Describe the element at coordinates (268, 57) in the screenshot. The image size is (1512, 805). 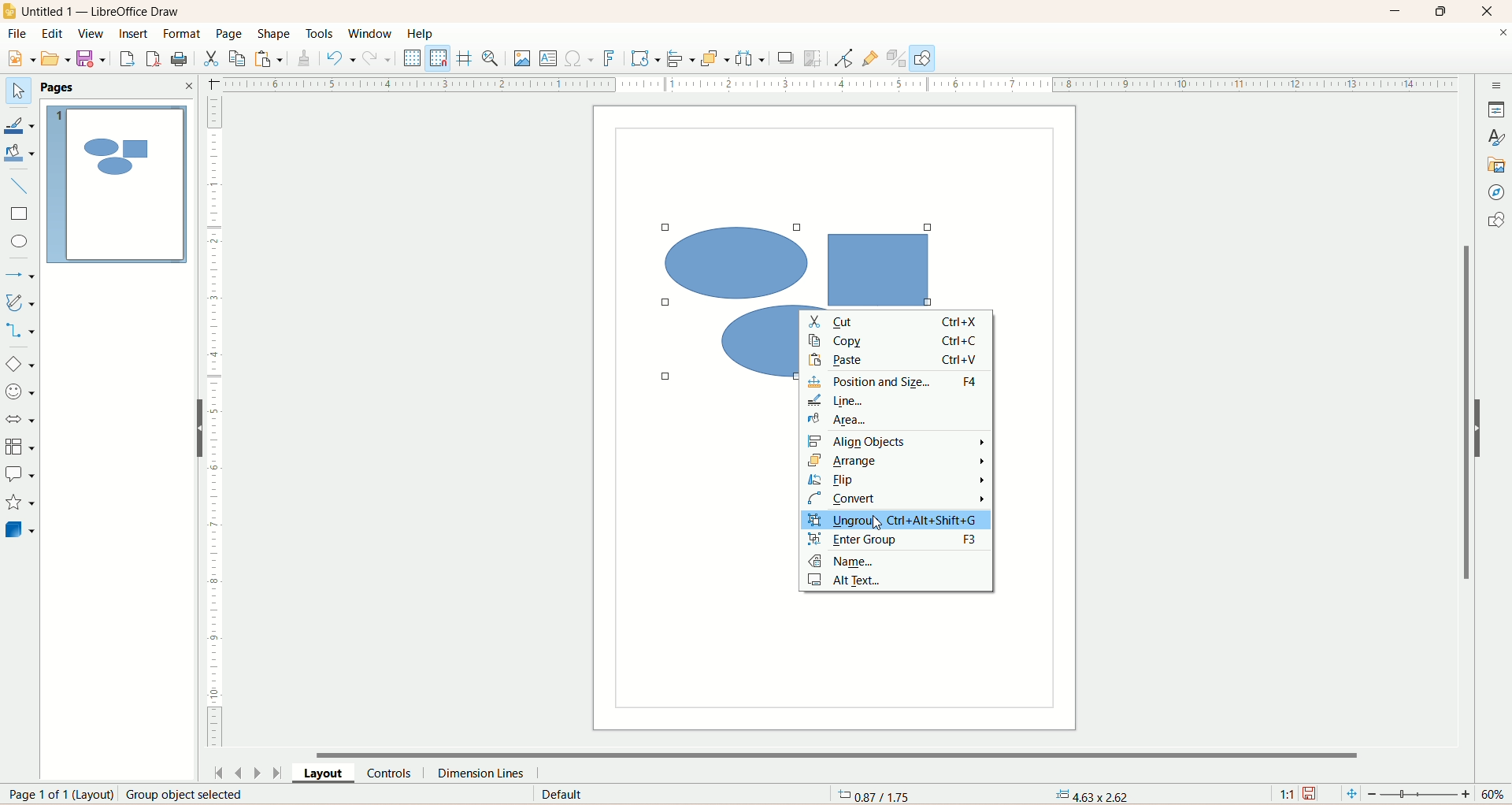
I see `paste` at that location.